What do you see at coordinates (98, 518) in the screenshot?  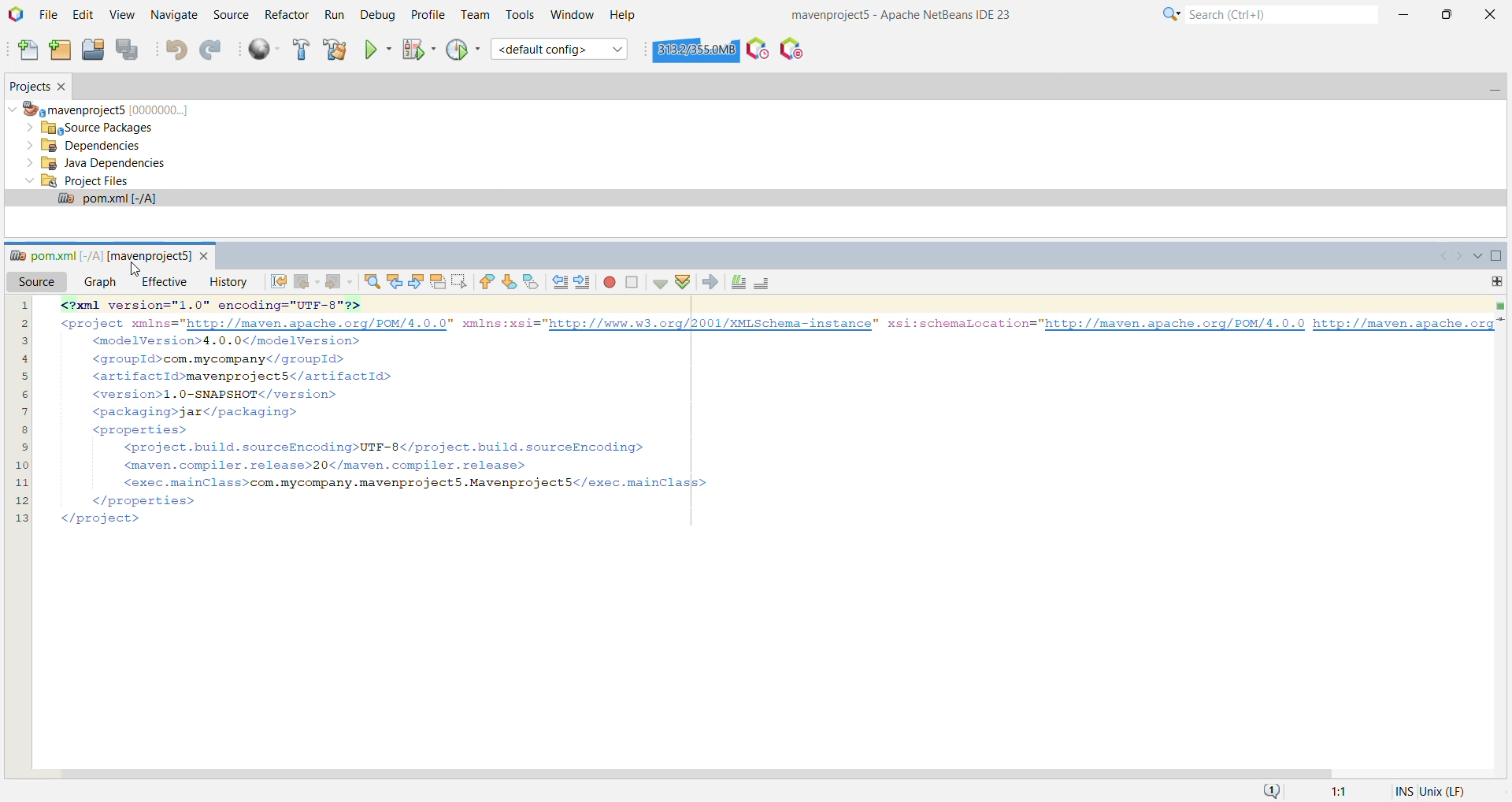 I see `</project>` at bounding box center [98, 518].